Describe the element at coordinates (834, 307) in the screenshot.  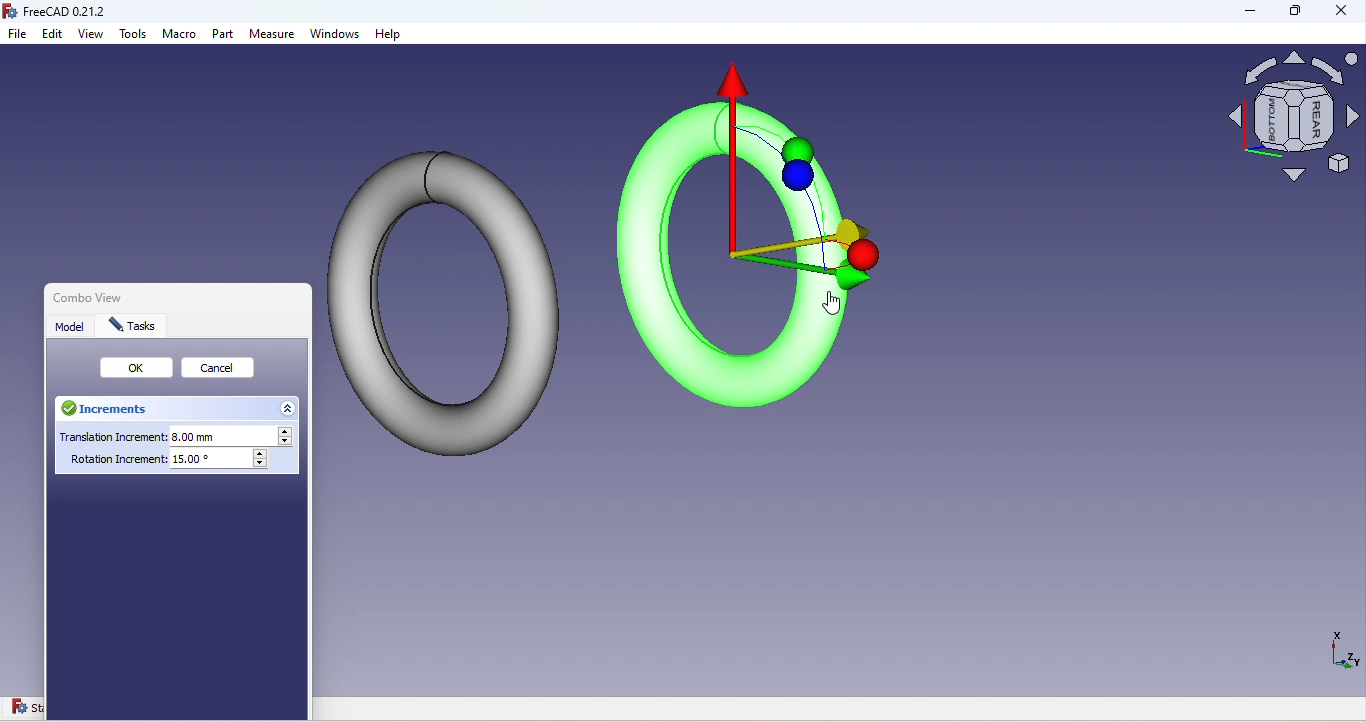
I see `cursor` at that location.